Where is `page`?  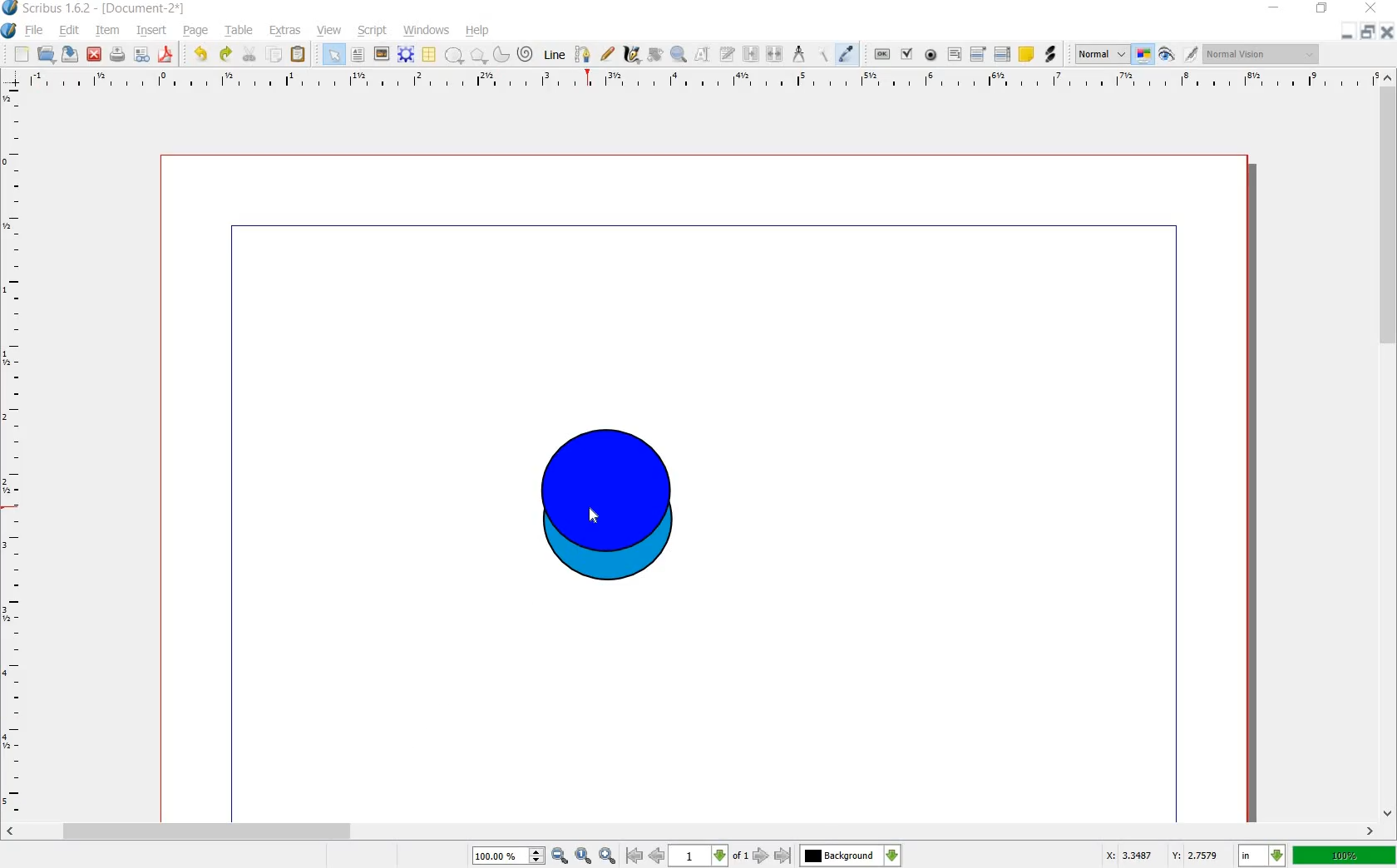
page is located at coordinates (198, 31).